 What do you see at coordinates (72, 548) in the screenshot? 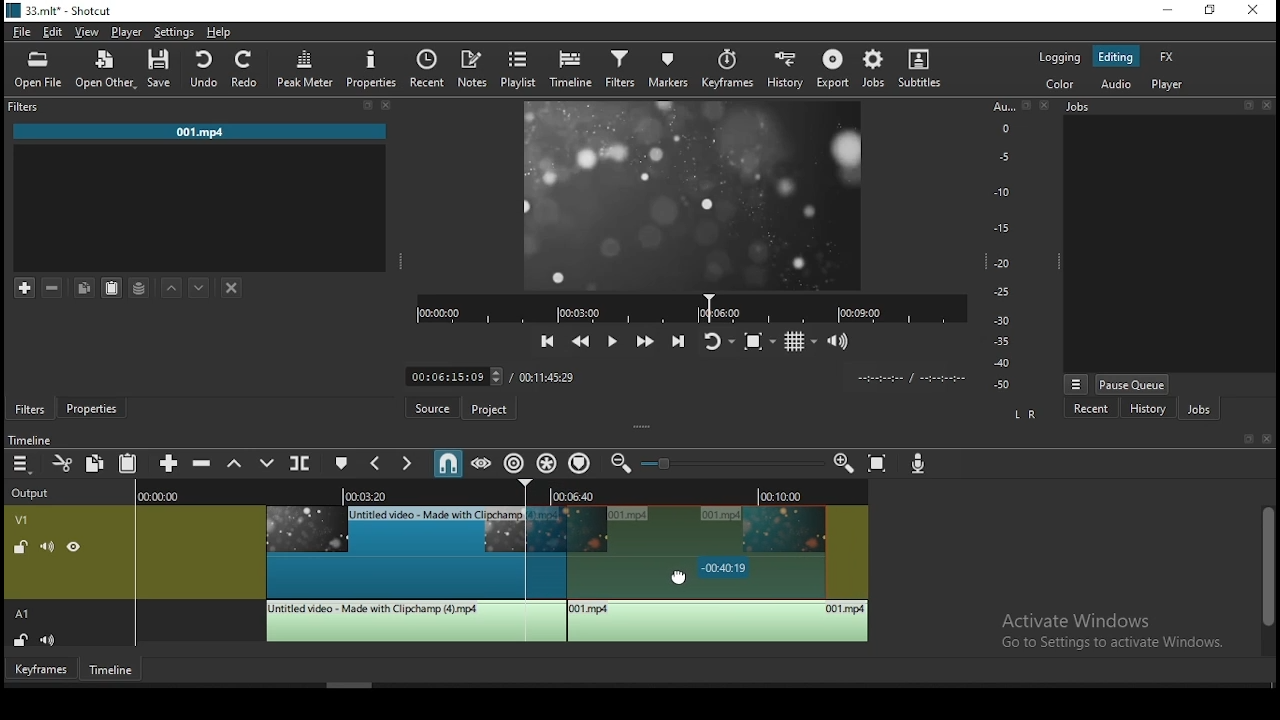
I see `un(hide)` at bounding box center [72, 548].